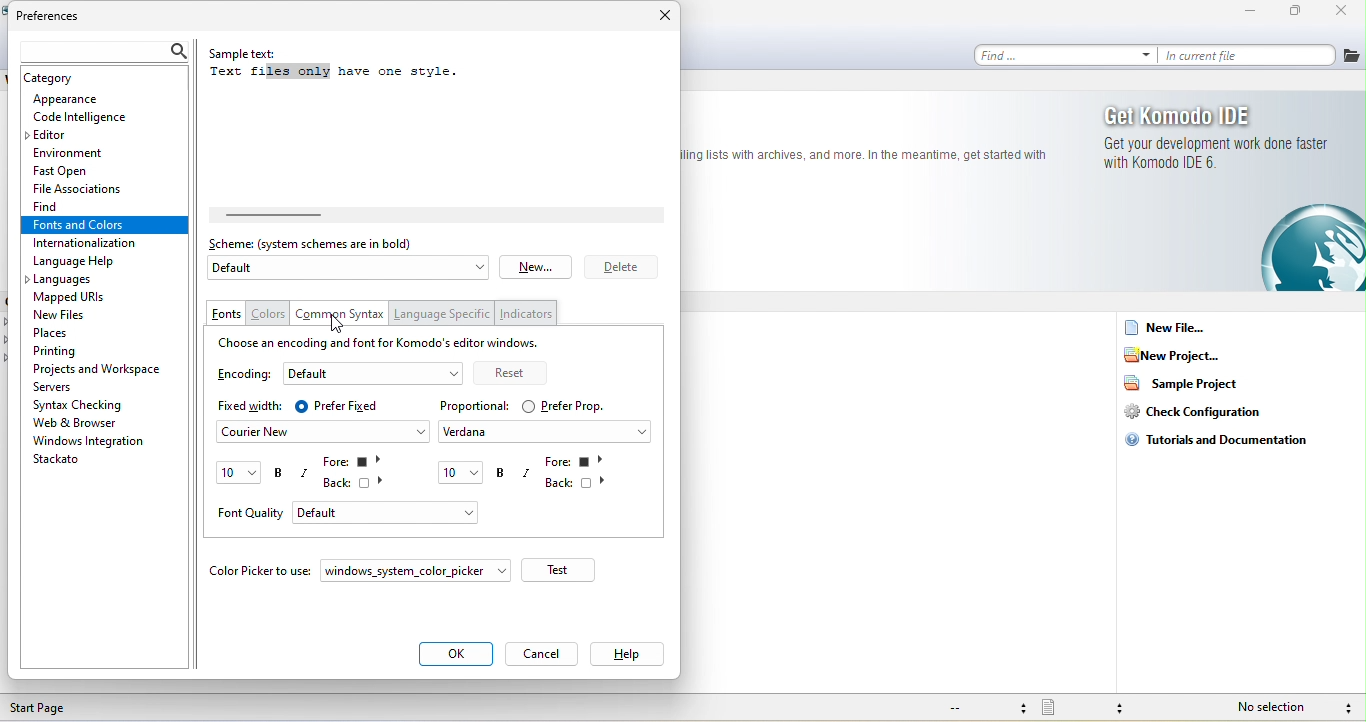 The height and width of the screenshot is (722, 1366). Describe the element at coordinates (462, 474) in the screenshot. I see `10` at that location.